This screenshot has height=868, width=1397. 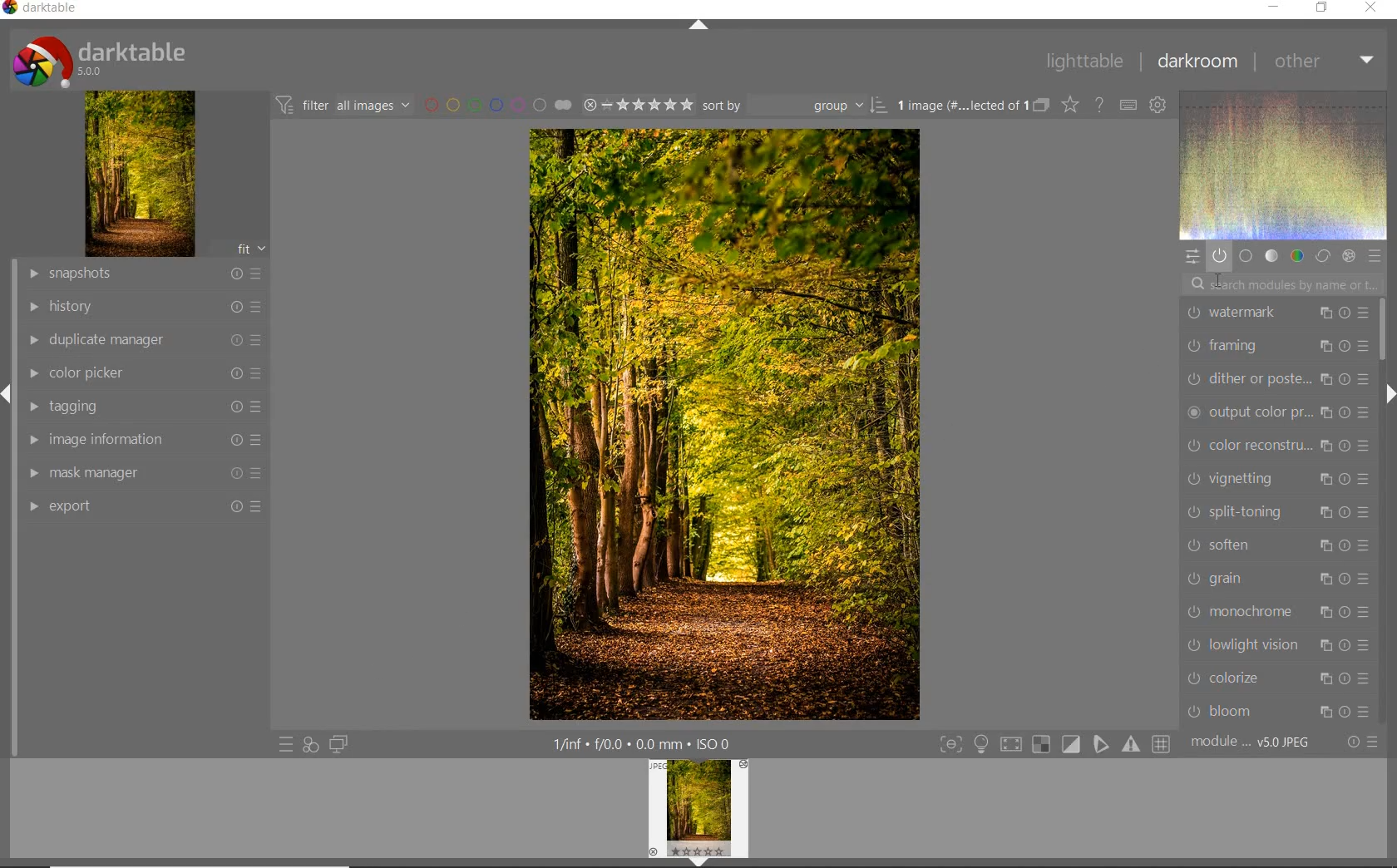 I want to click on tone, so click(x=1271, y=257).